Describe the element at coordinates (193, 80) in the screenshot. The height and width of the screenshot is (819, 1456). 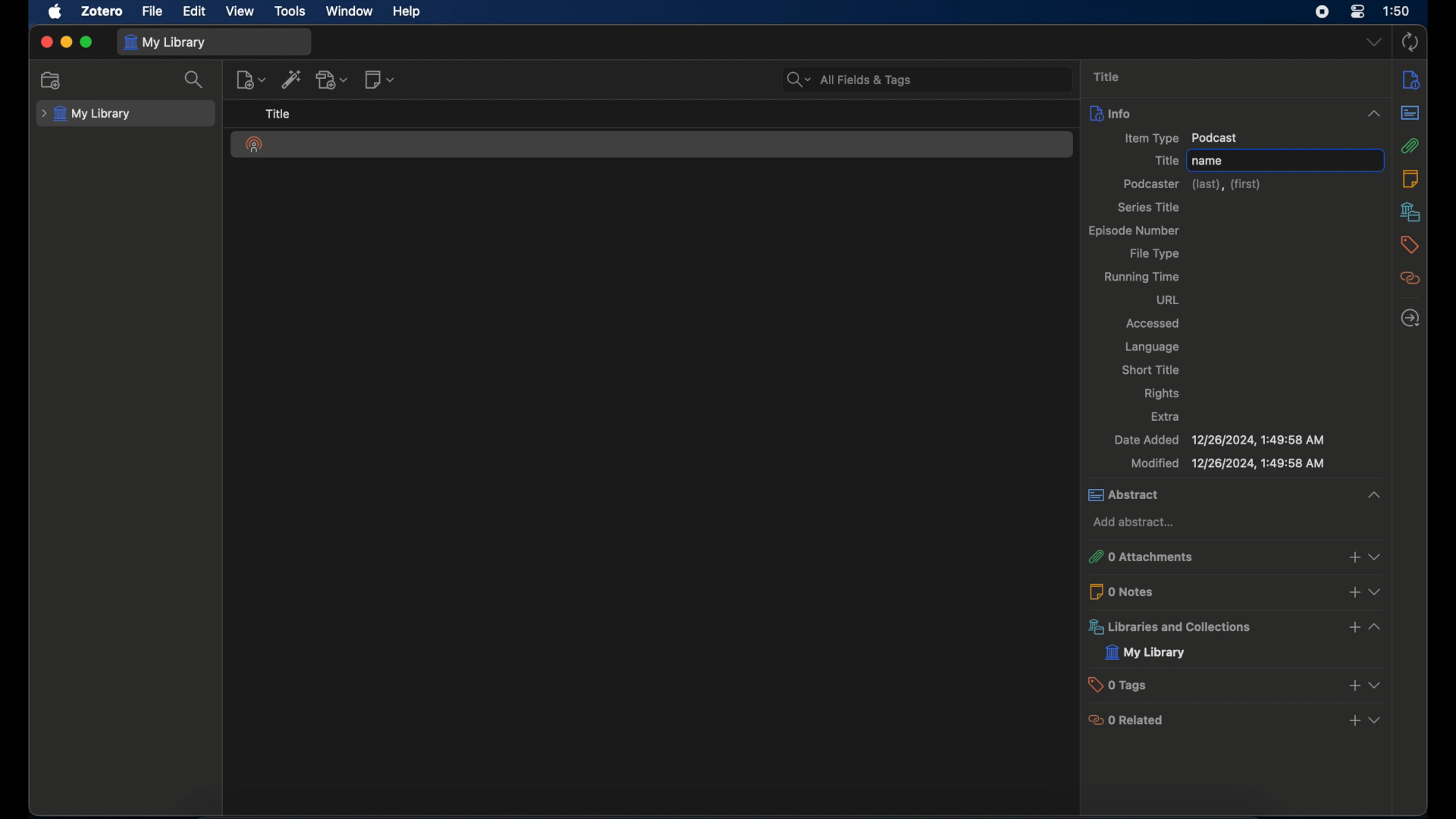
I see `search` at that location.